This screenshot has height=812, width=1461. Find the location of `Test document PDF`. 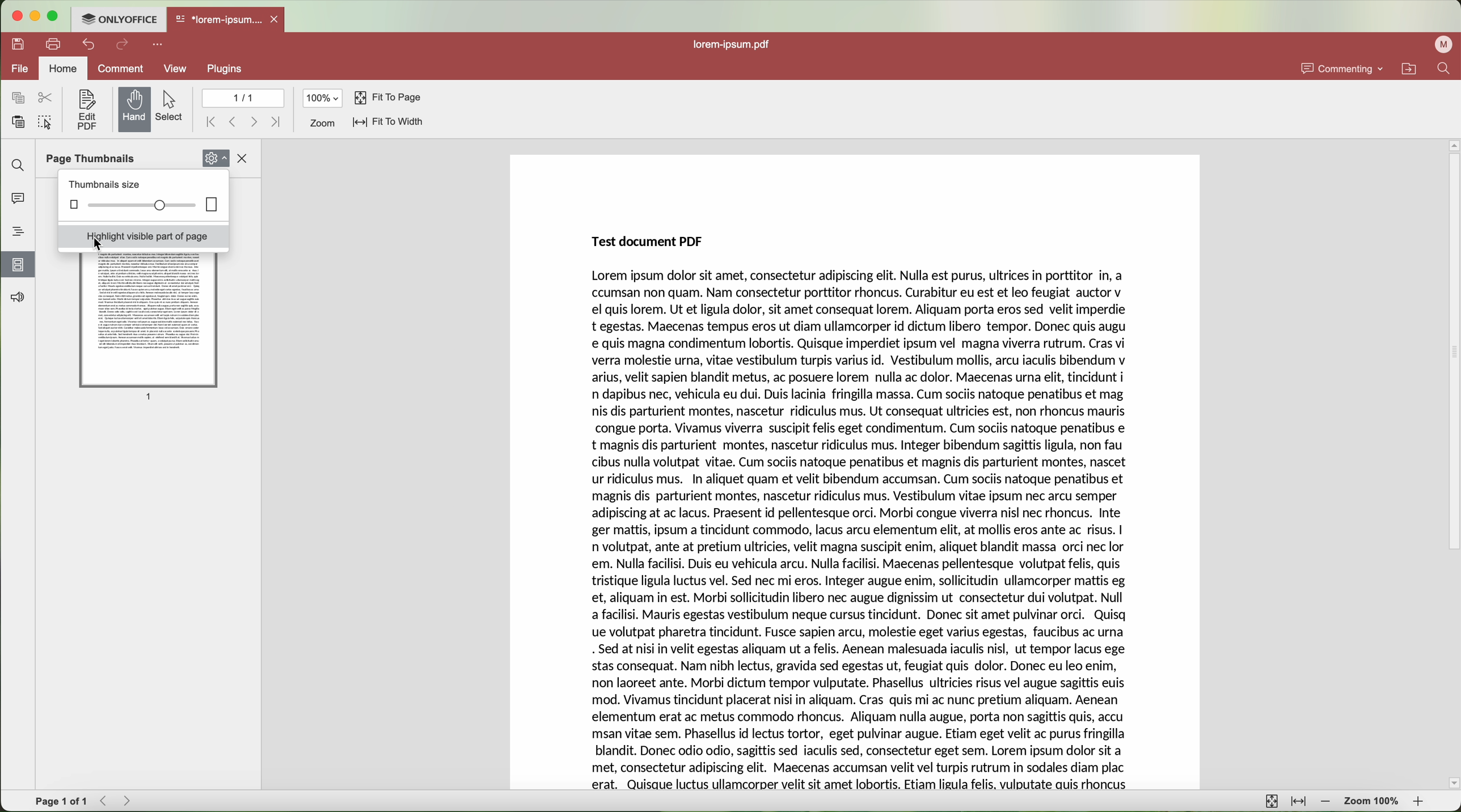

Test document PDF is located at coordinates (648, 242).